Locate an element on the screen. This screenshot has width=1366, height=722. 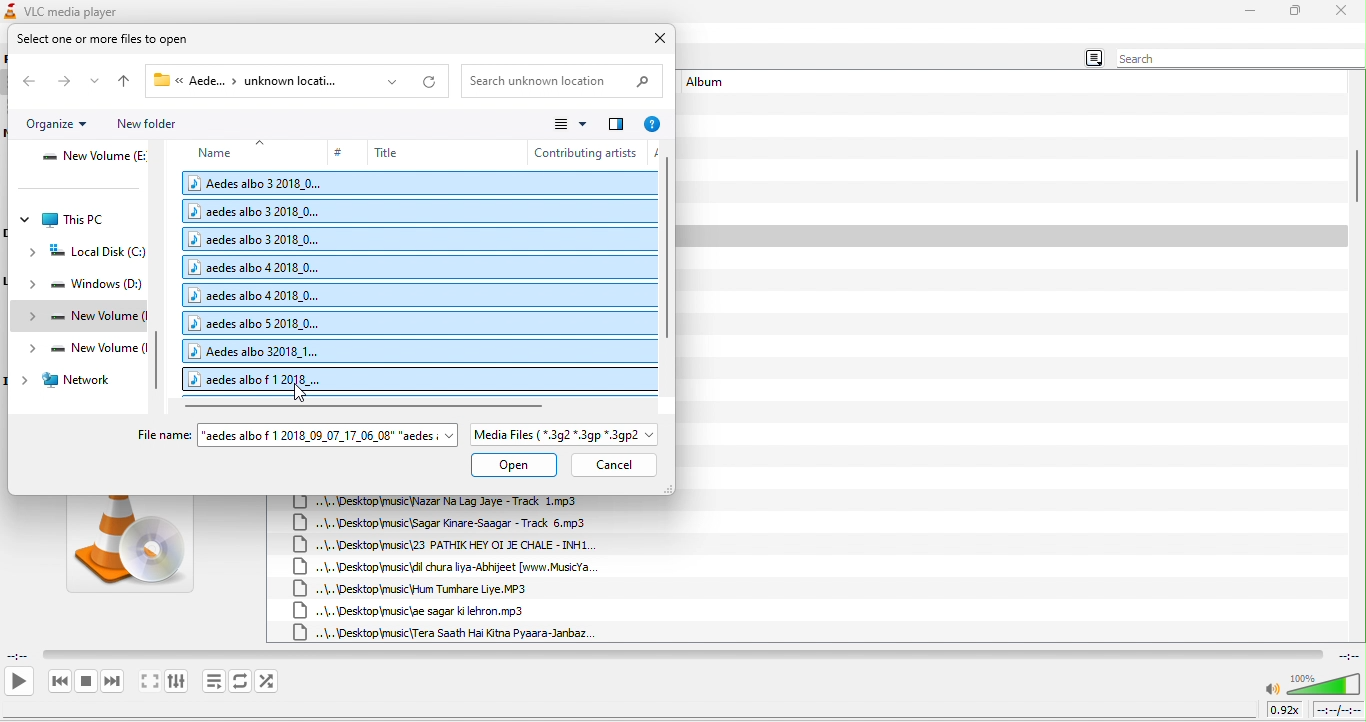
random is located at coordinates (269, 681).